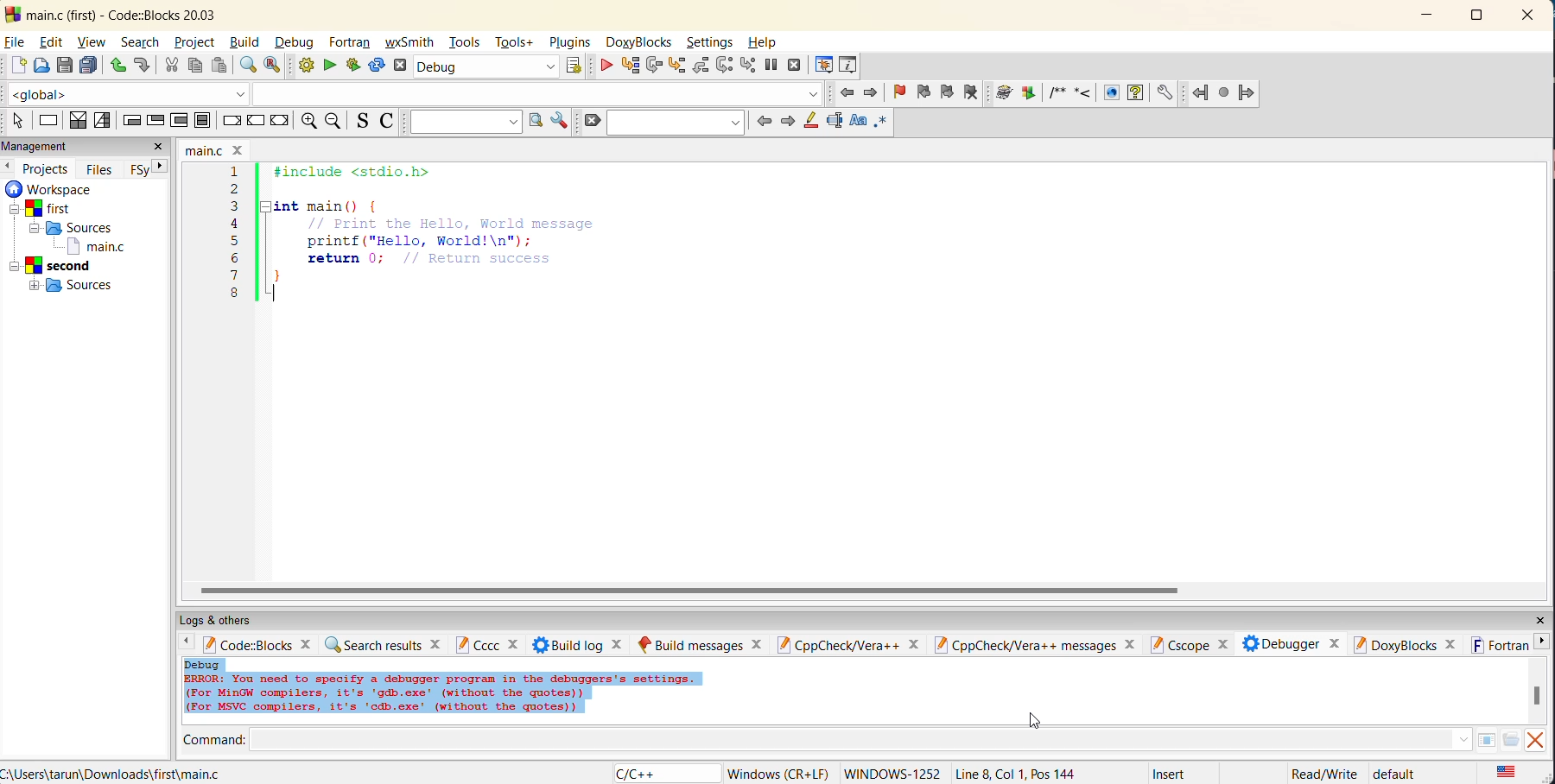 The image size is (1555, 784). Describe the element at coordinates (474, 66) in the screenshot. I see `Debug` at that location.